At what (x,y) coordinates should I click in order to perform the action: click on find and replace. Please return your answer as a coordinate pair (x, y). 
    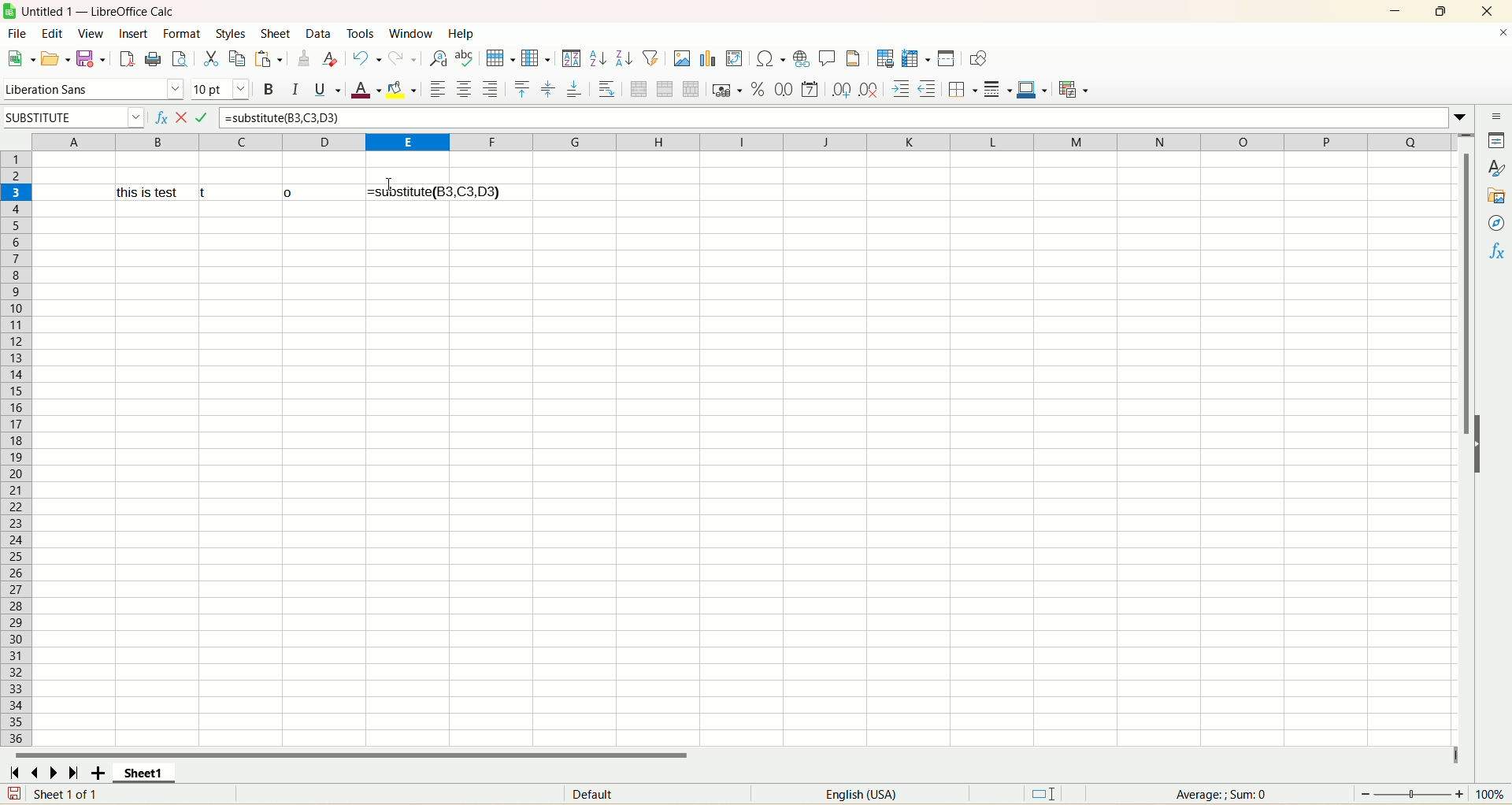
    Looking at the image, I should click on (437, 57).